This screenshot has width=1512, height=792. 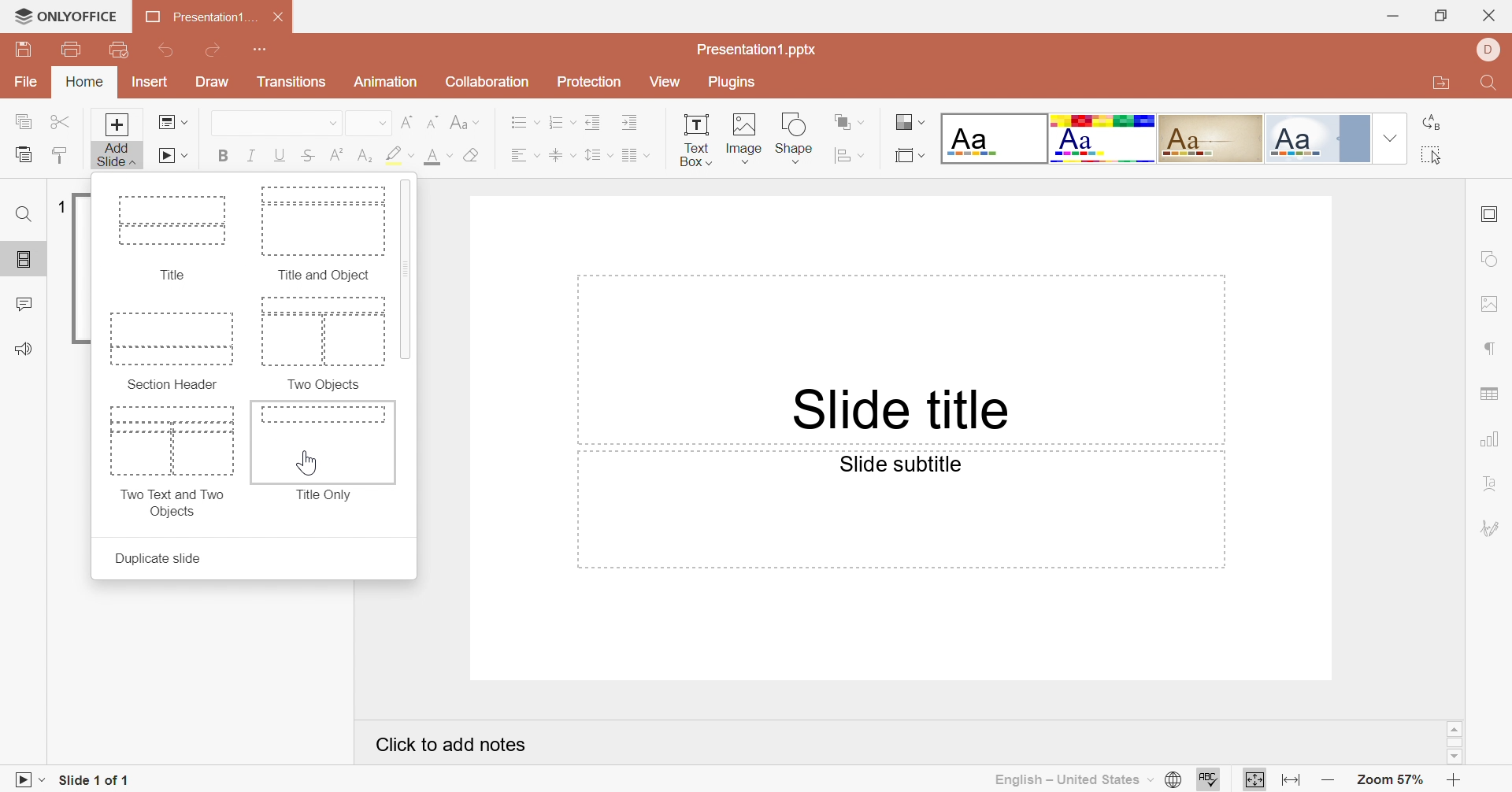 I want to click on Text Art settings, so click(x=1492, y=483).